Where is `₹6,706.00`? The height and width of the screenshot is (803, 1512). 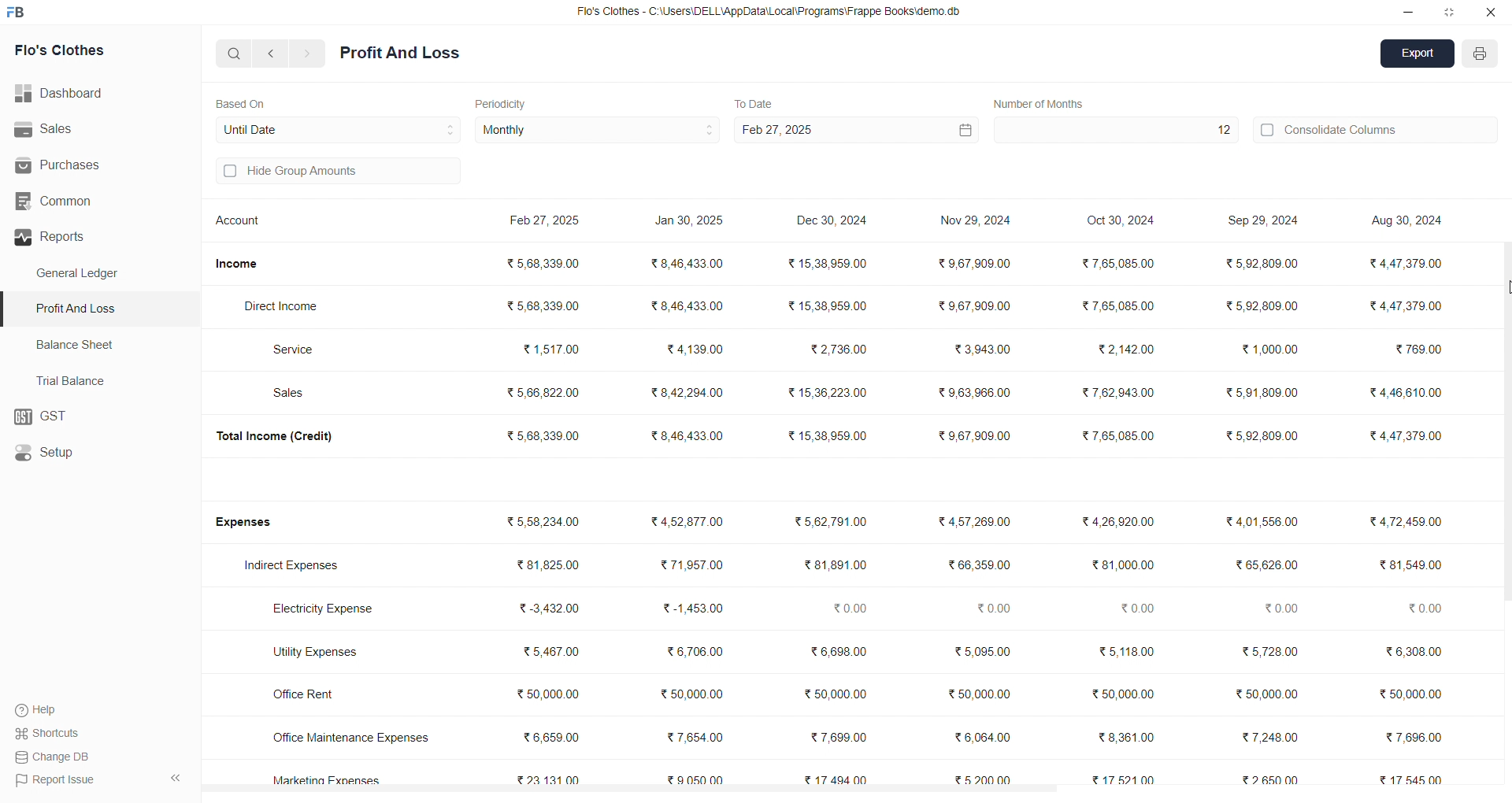 ₹6,706.00 is located at coordinates (695, 653).